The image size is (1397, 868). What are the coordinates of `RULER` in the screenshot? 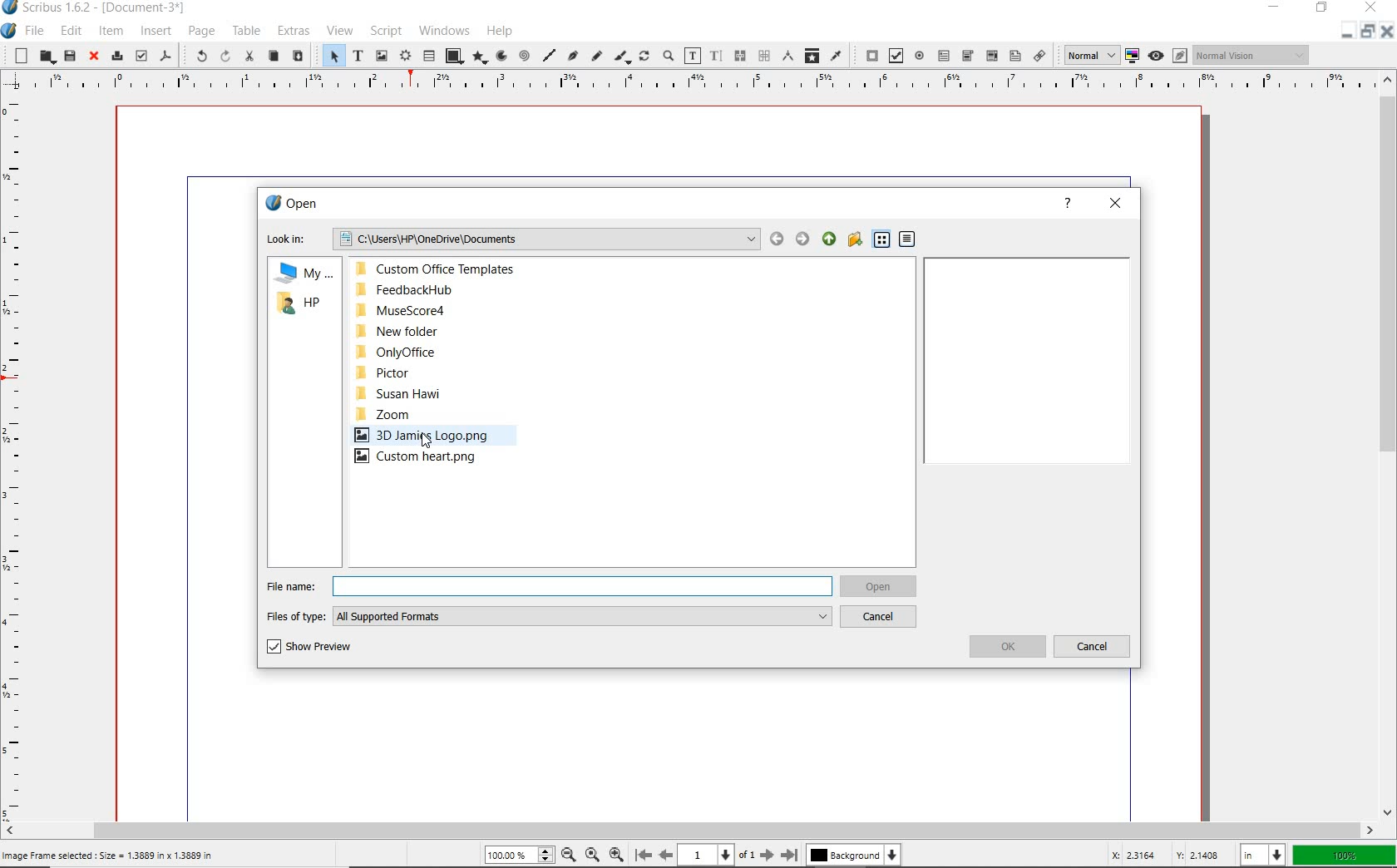 It's located at (17, 454).